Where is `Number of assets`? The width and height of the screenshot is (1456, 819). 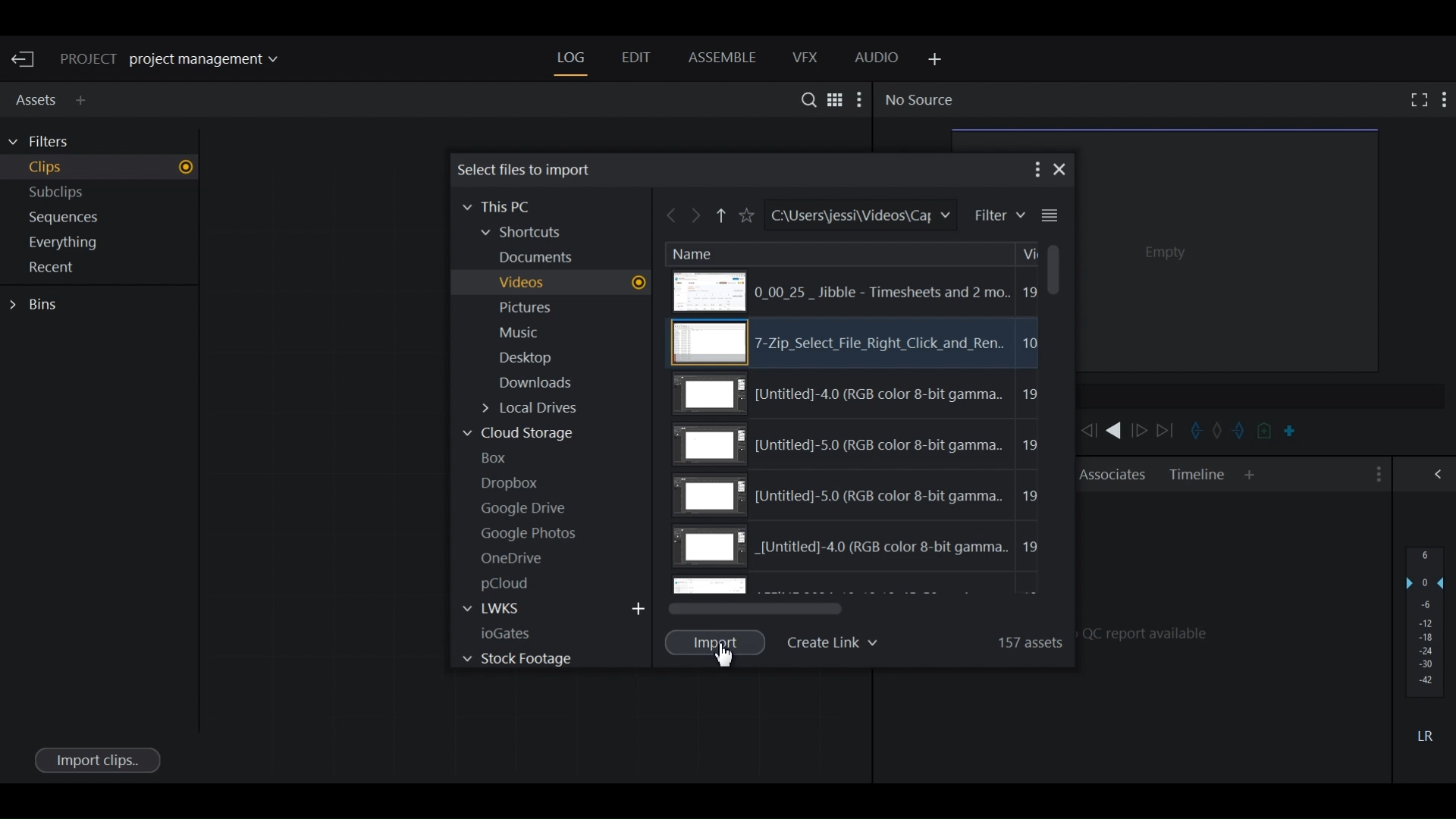
Number of assets is located at coordinates (1026, 640).